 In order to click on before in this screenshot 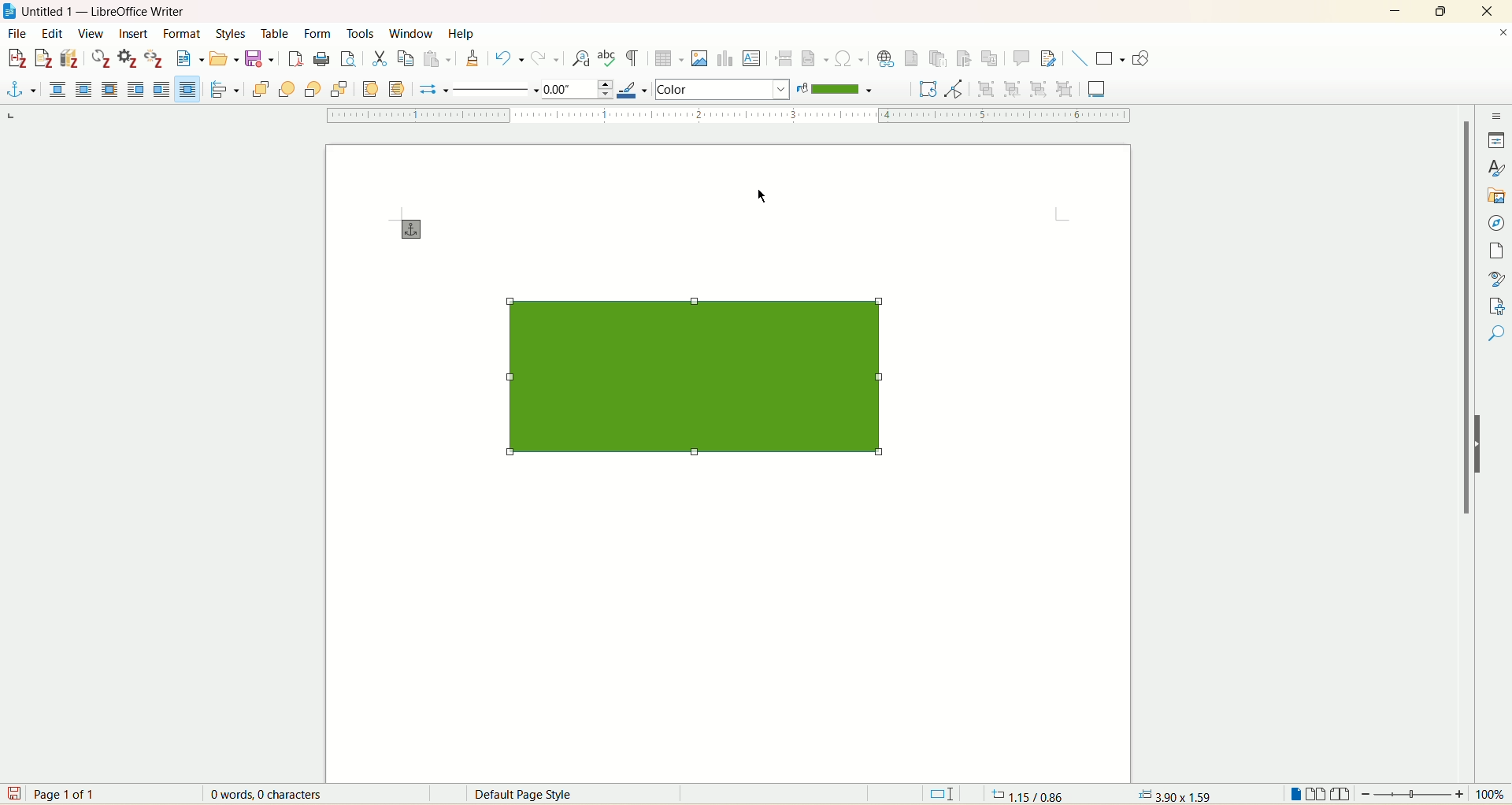, I will do `click(136, 89)`.